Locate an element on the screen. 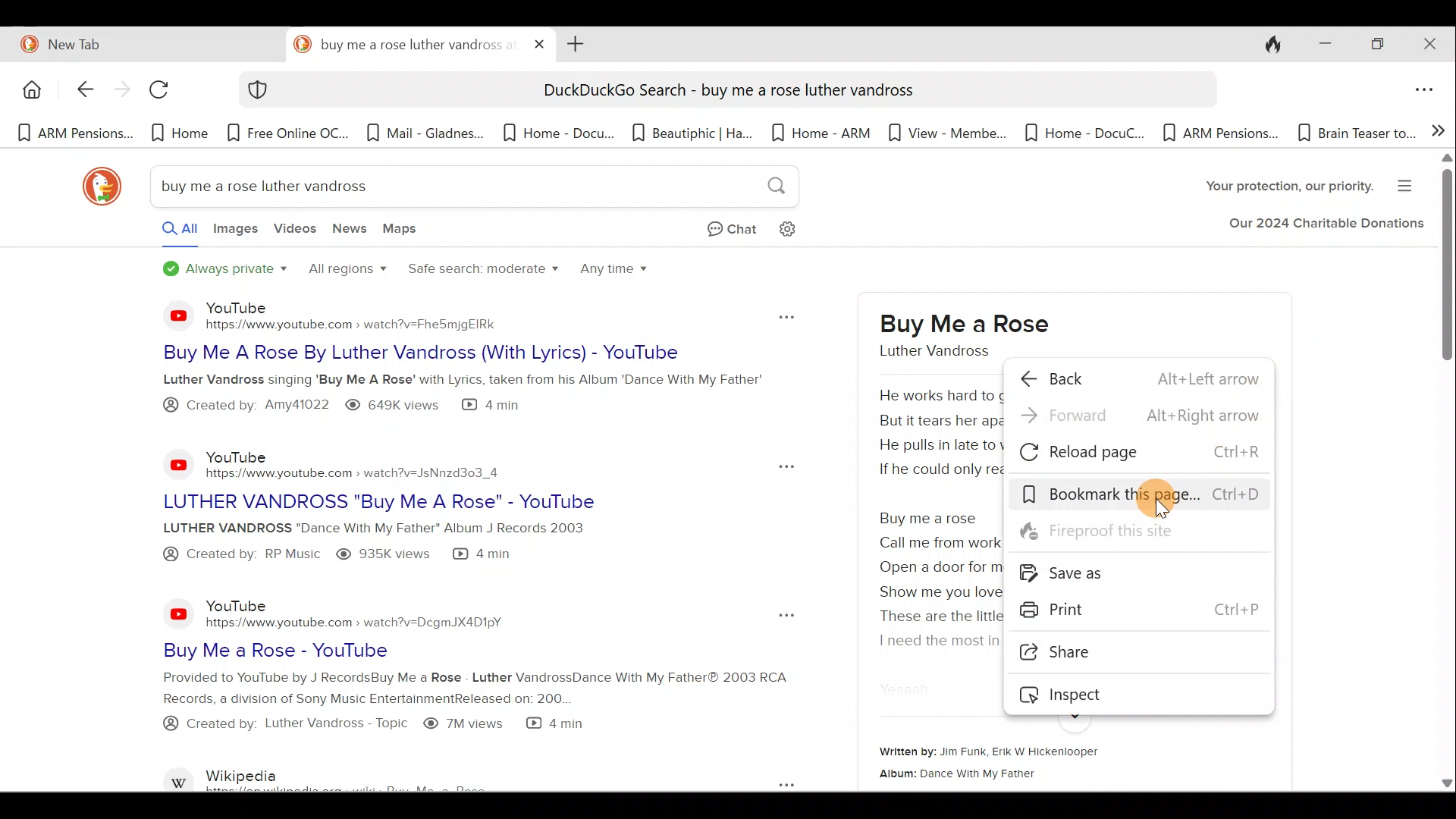 Image resolution: width=1456 pixels, height=819 pixels. News is located at coordinates (351, 232).